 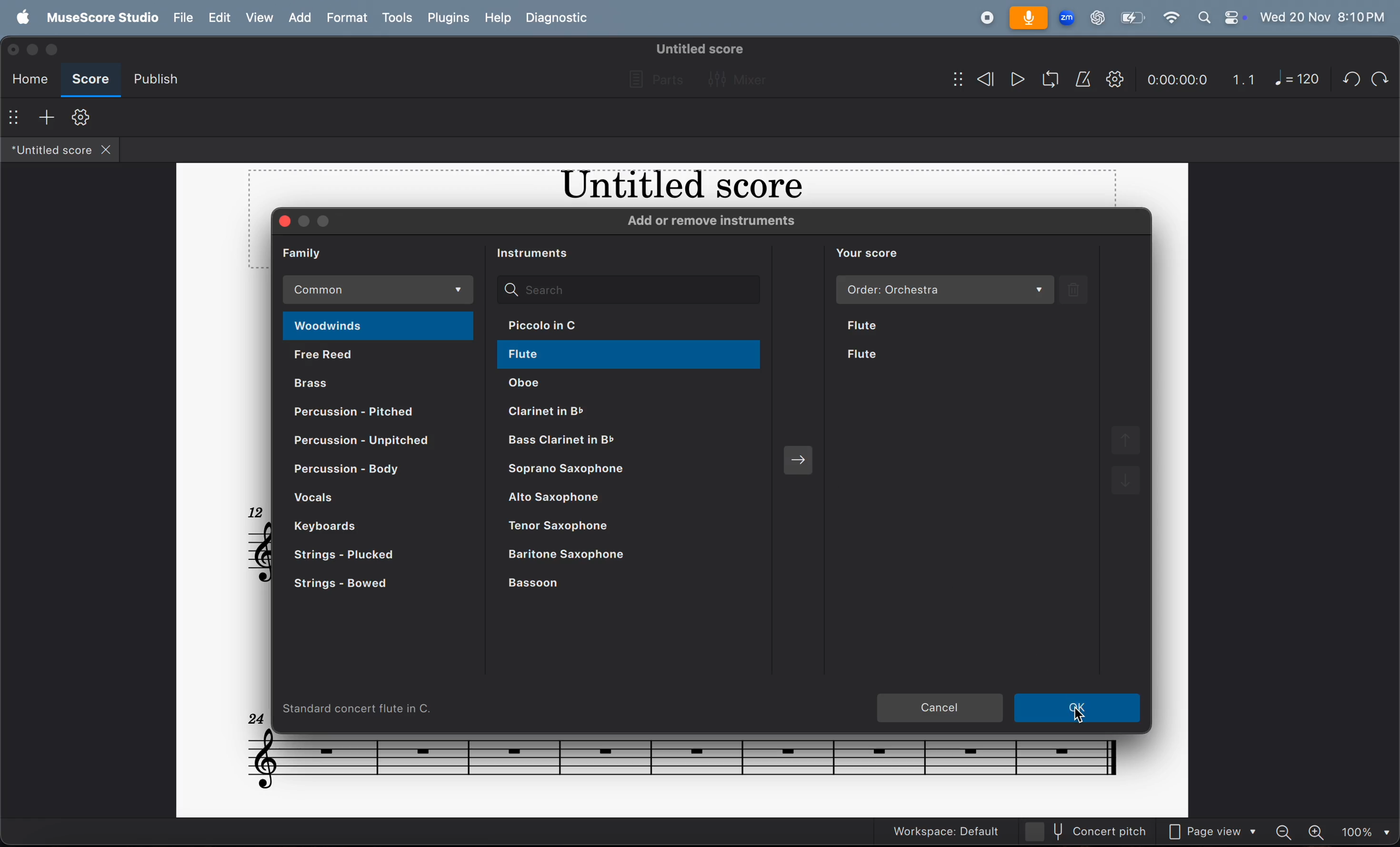 What do you see at coordinates (15, 52) in the screenshot?
I see `close` at bounding box center [15, 52].